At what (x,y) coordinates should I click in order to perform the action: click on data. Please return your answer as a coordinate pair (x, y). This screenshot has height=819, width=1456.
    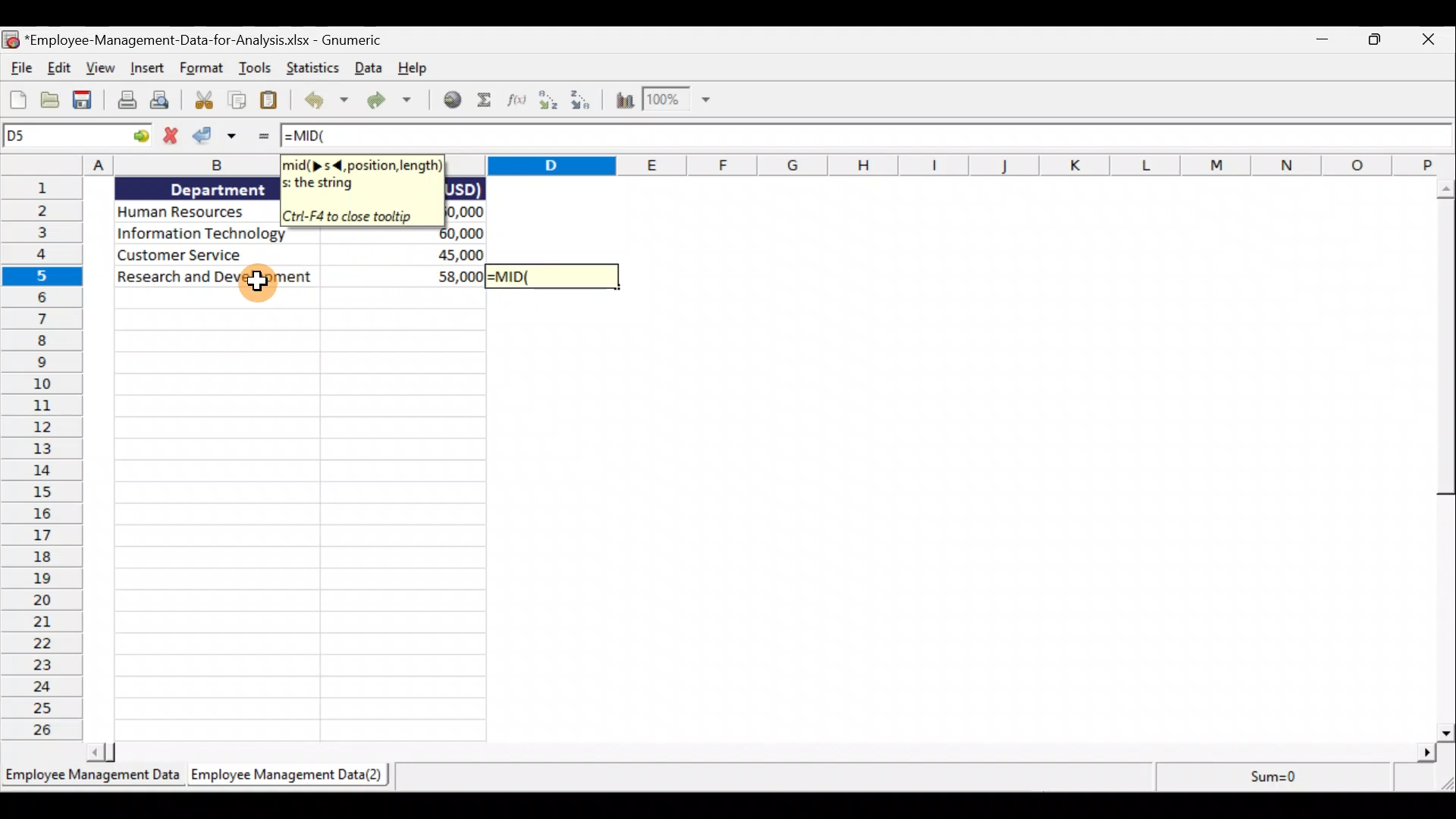
    Looking at the image, I should click on (471, 202).